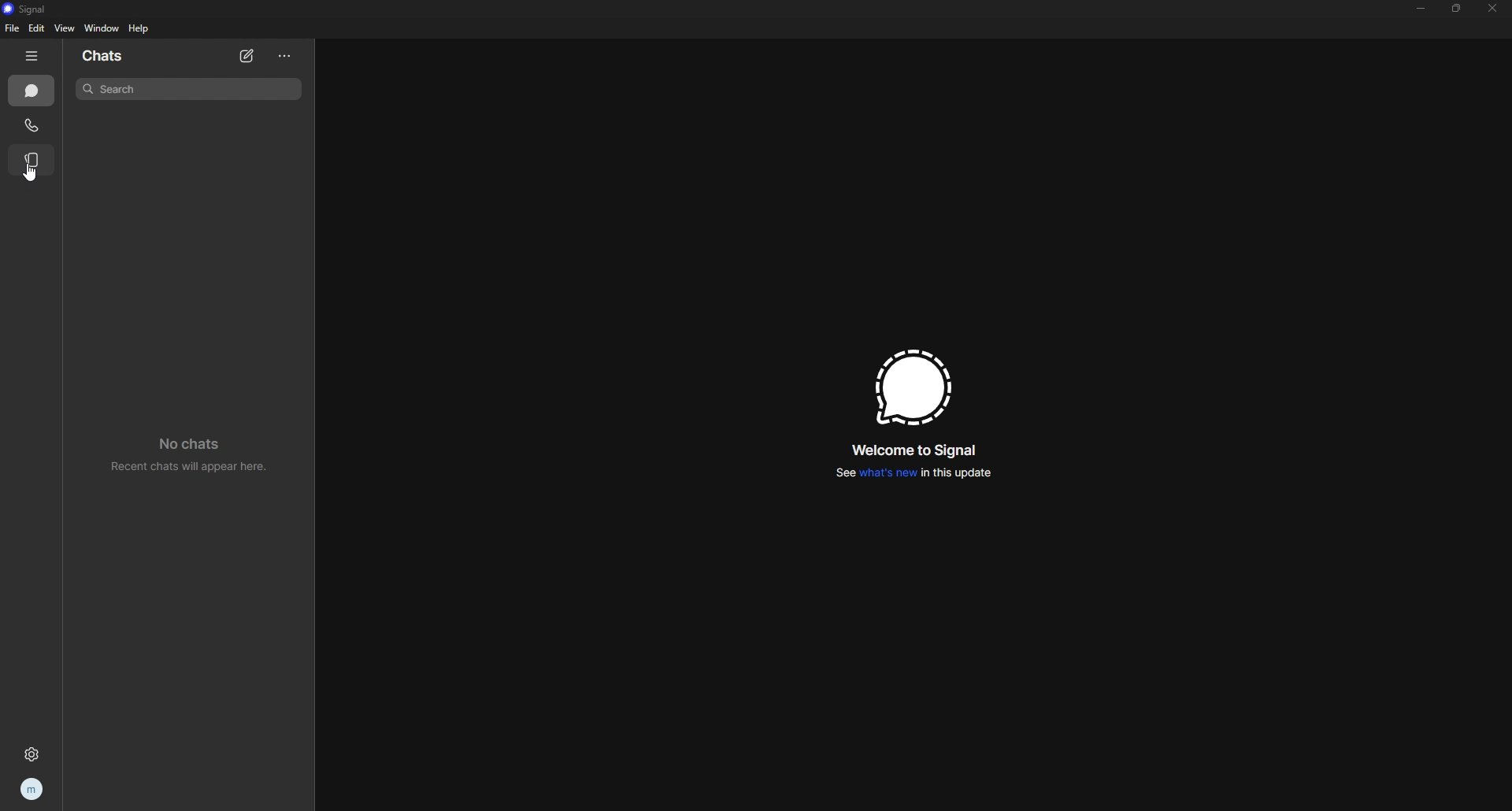  What do you see at coordinates (31, 754) in the screenshot?
I see `settings` at bounding box center [31, 754].